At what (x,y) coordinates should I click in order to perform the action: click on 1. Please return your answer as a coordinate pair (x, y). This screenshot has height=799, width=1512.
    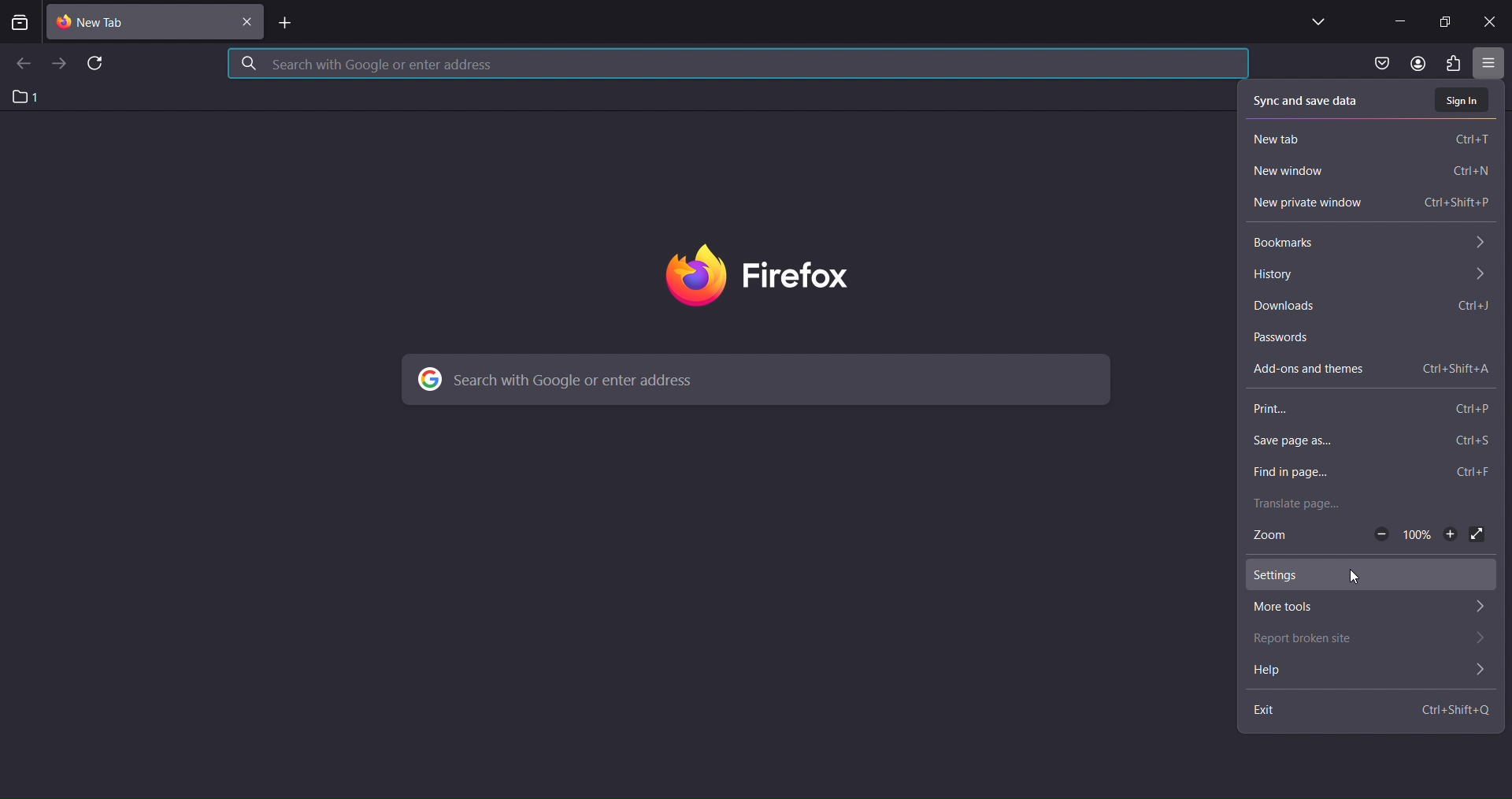
    Looking at the image, I should click on (26, 96).